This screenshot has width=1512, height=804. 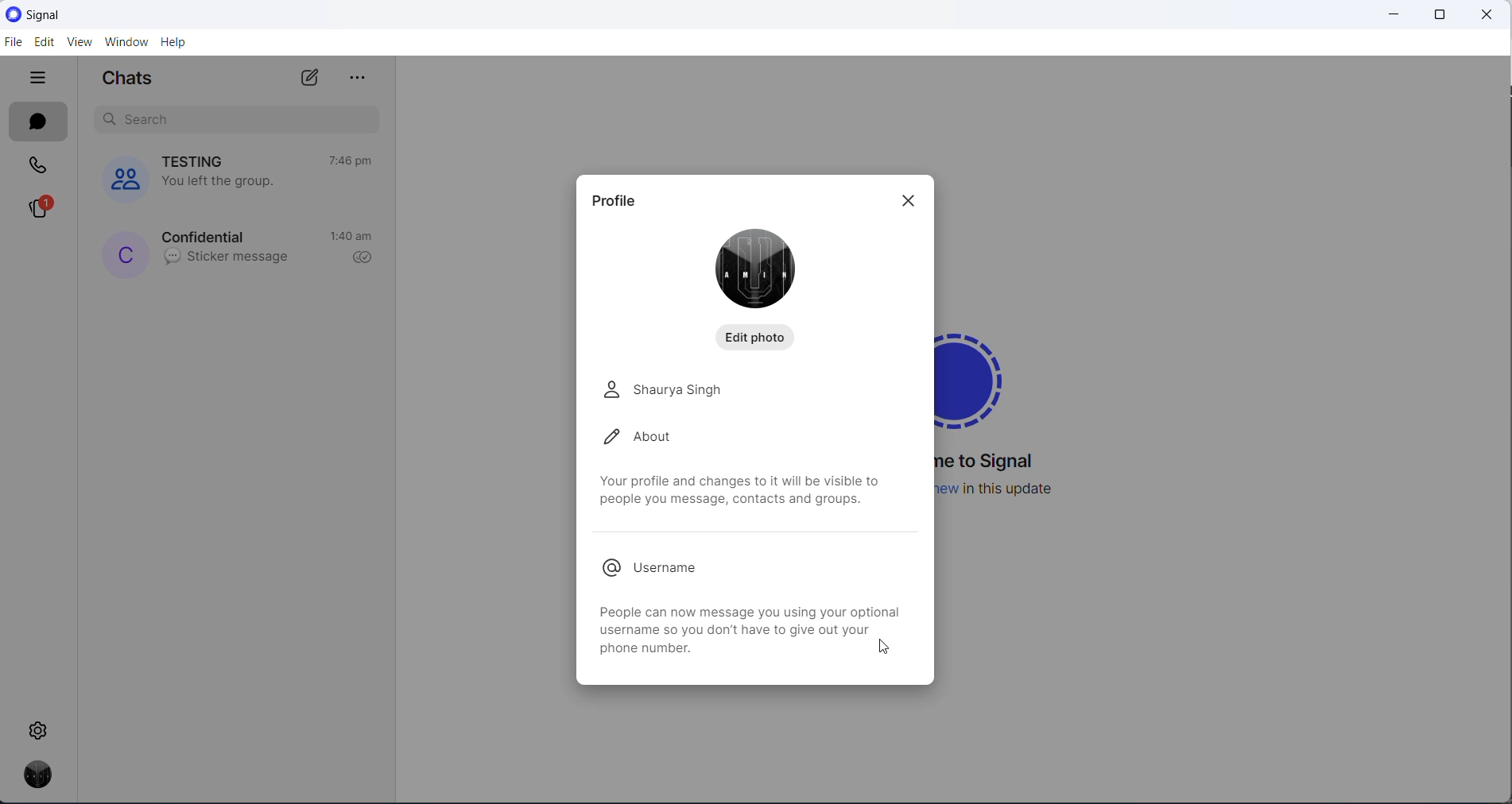 I want to click on more options, so click(x=362, y=79).